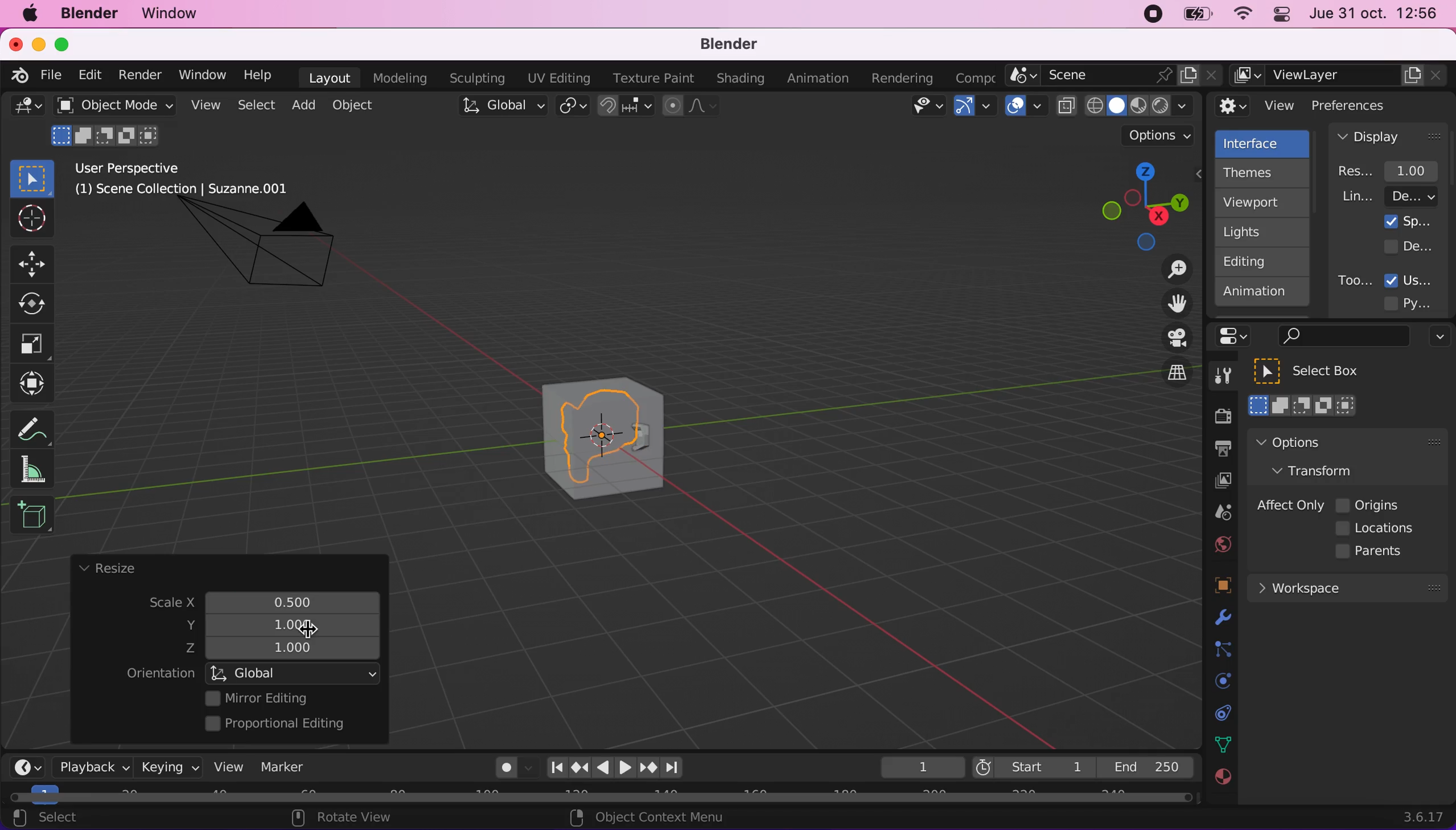 This screenshot has width=1456, height=830. Describe the element at coordinates (160, 674) in the screenshot. I see `orientation` at that location.